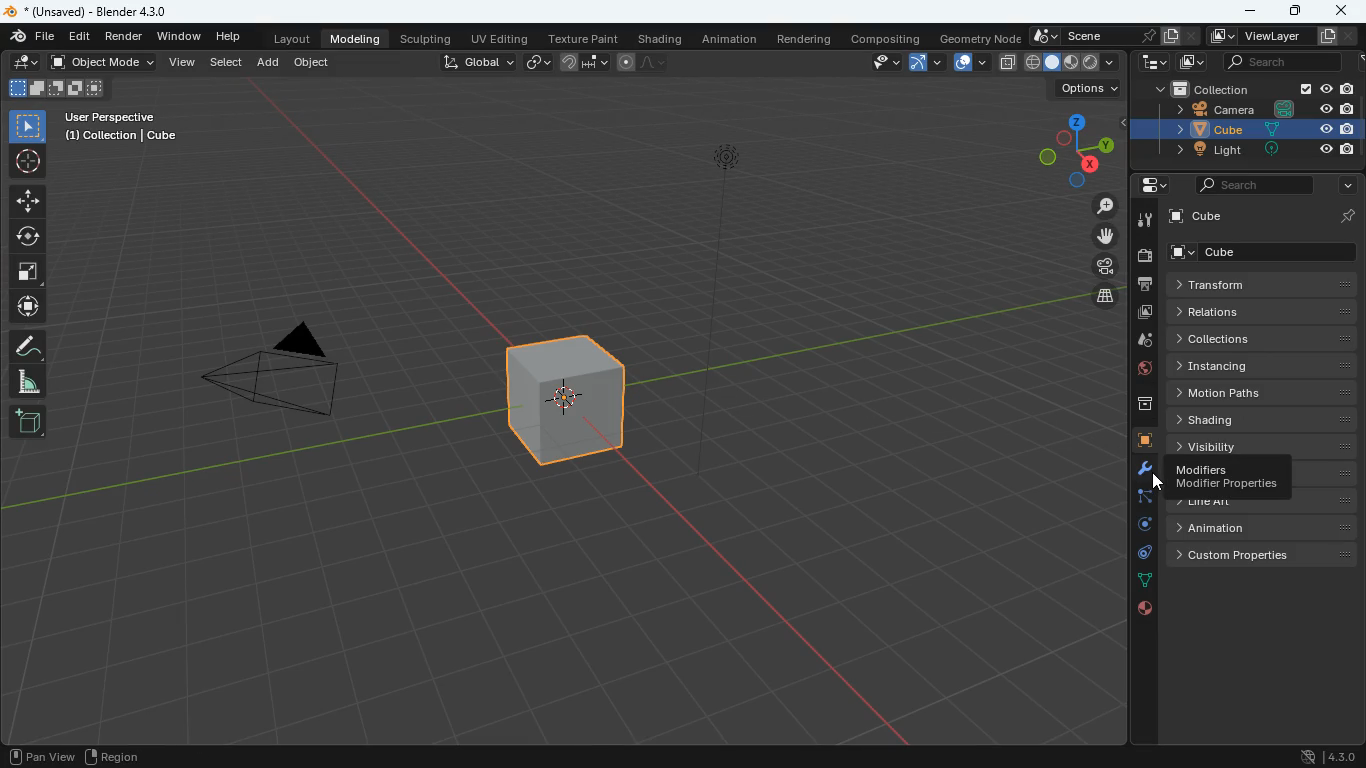 The height and width of the screenshot is (768, 1366). What do you see at coordinates (116, 754) in the screenshot?
I see `region` at bounding box center [116, 754].